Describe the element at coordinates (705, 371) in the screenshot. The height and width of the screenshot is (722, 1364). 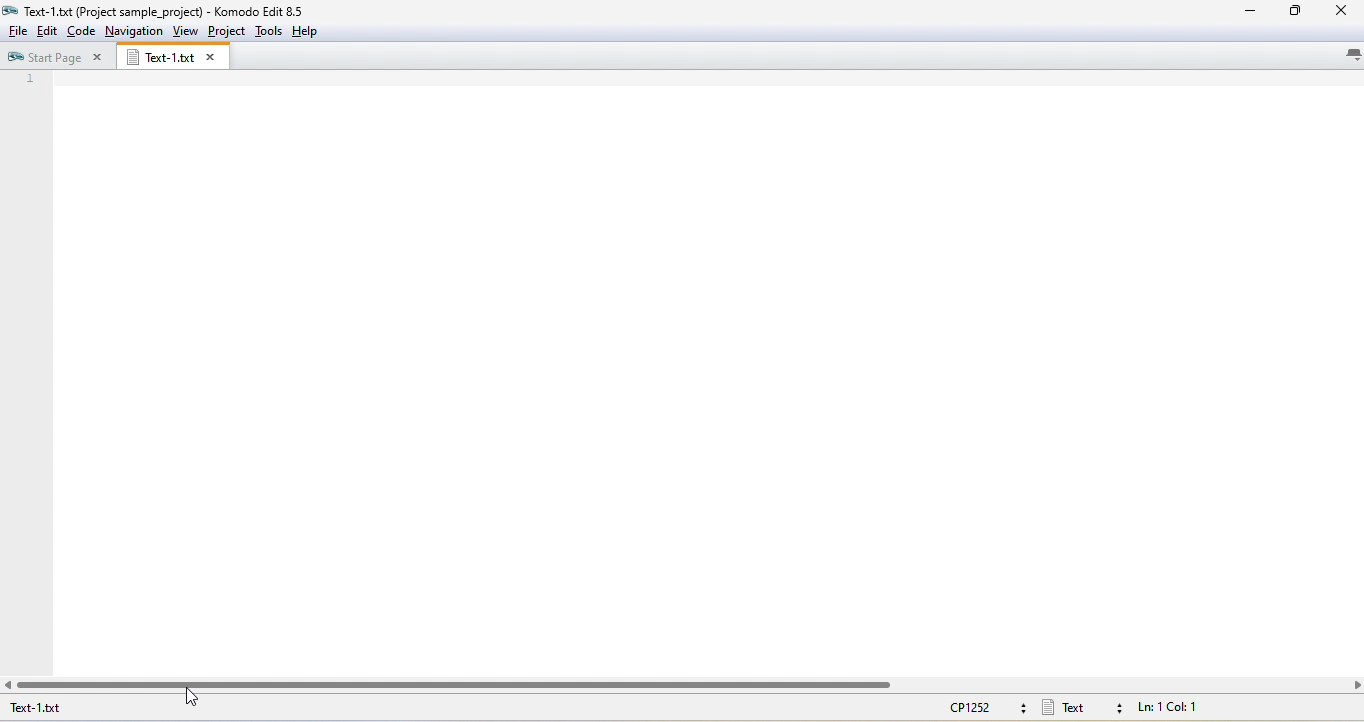
I see `open file panel closed` at that location.